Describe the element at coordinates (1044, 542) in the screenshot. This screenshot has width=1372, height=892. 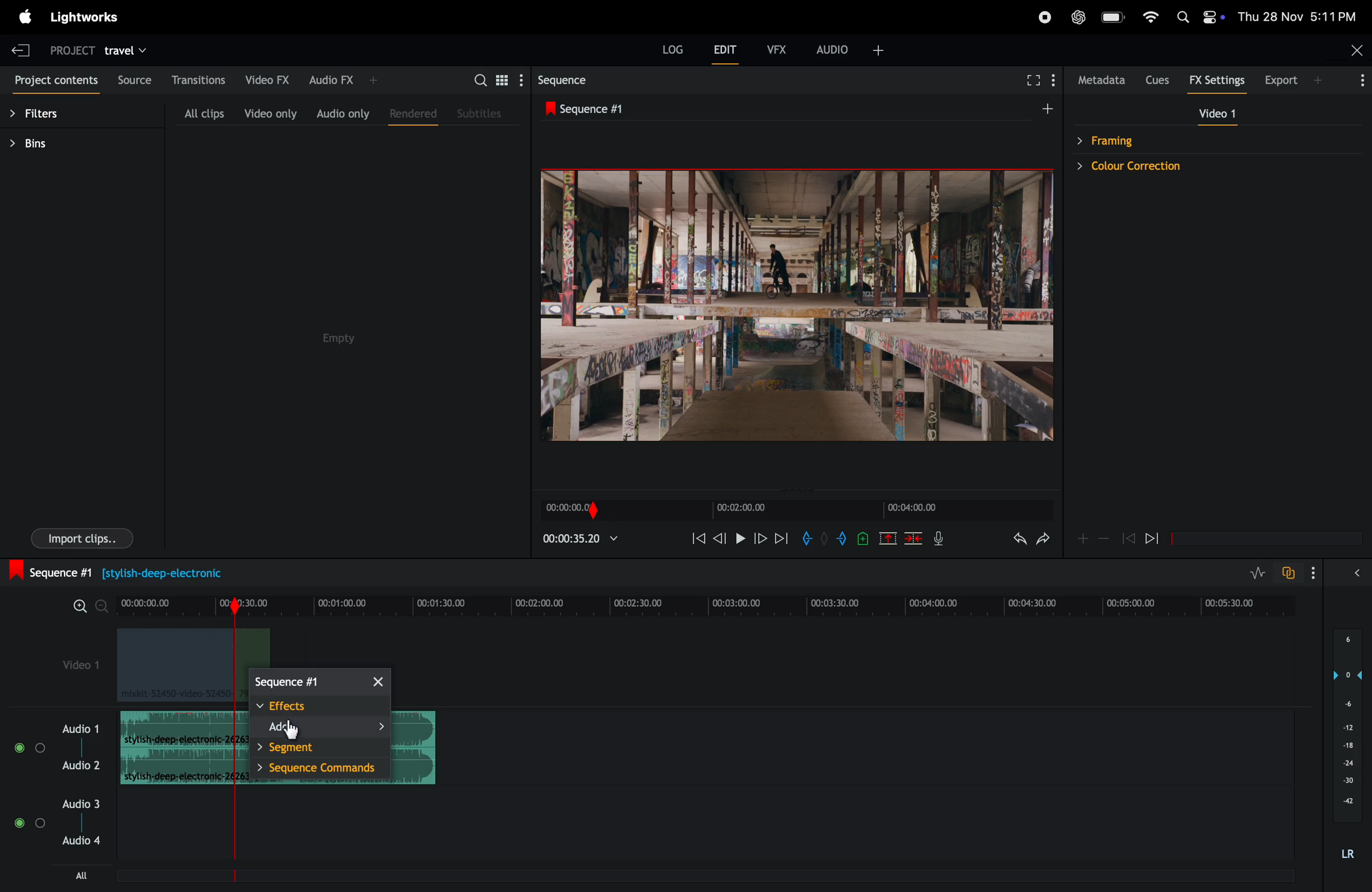
I see `redo` at that location.